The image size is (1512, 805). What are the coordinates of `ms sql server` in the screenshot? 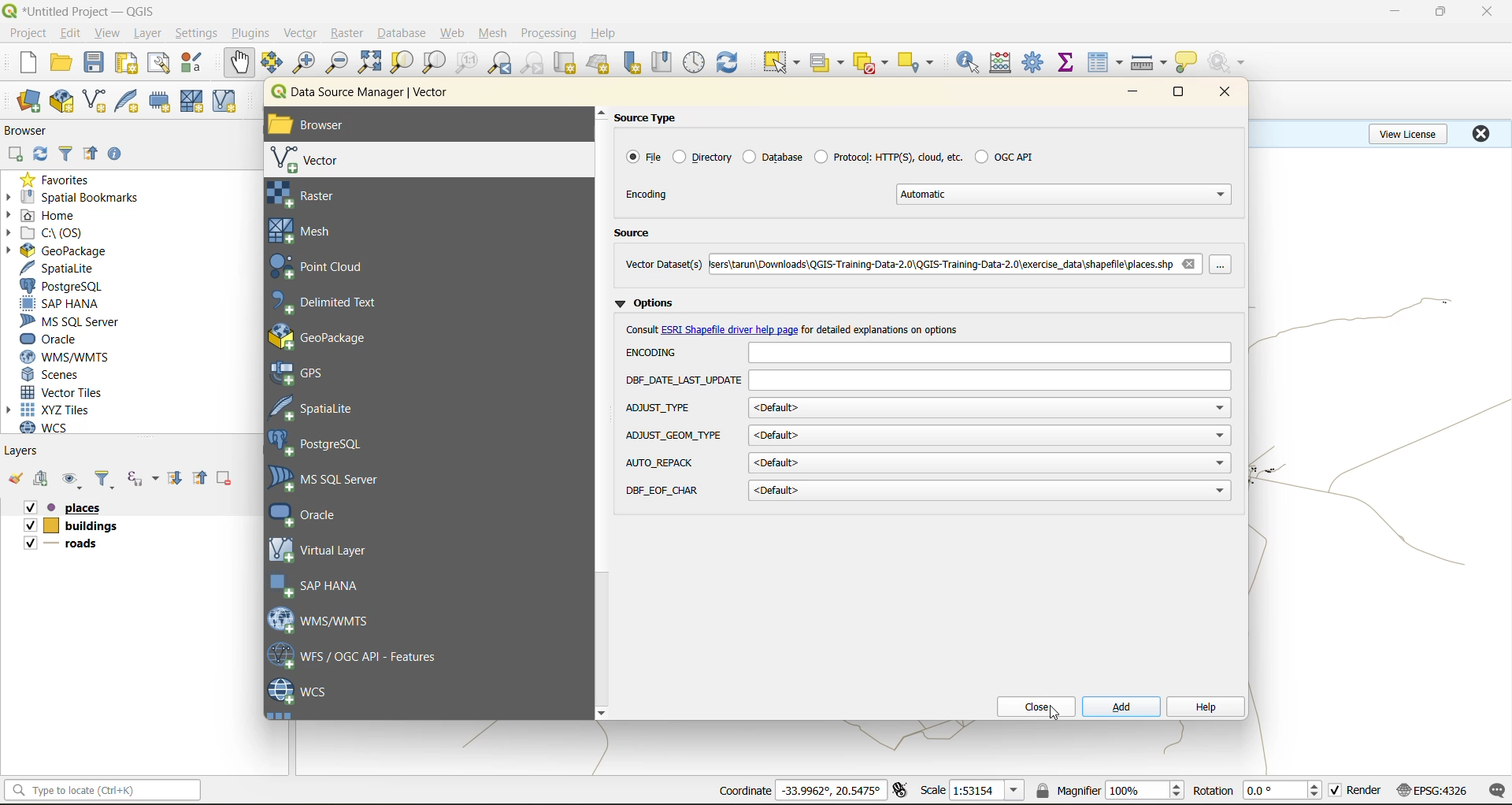 It's located at (334, 479).